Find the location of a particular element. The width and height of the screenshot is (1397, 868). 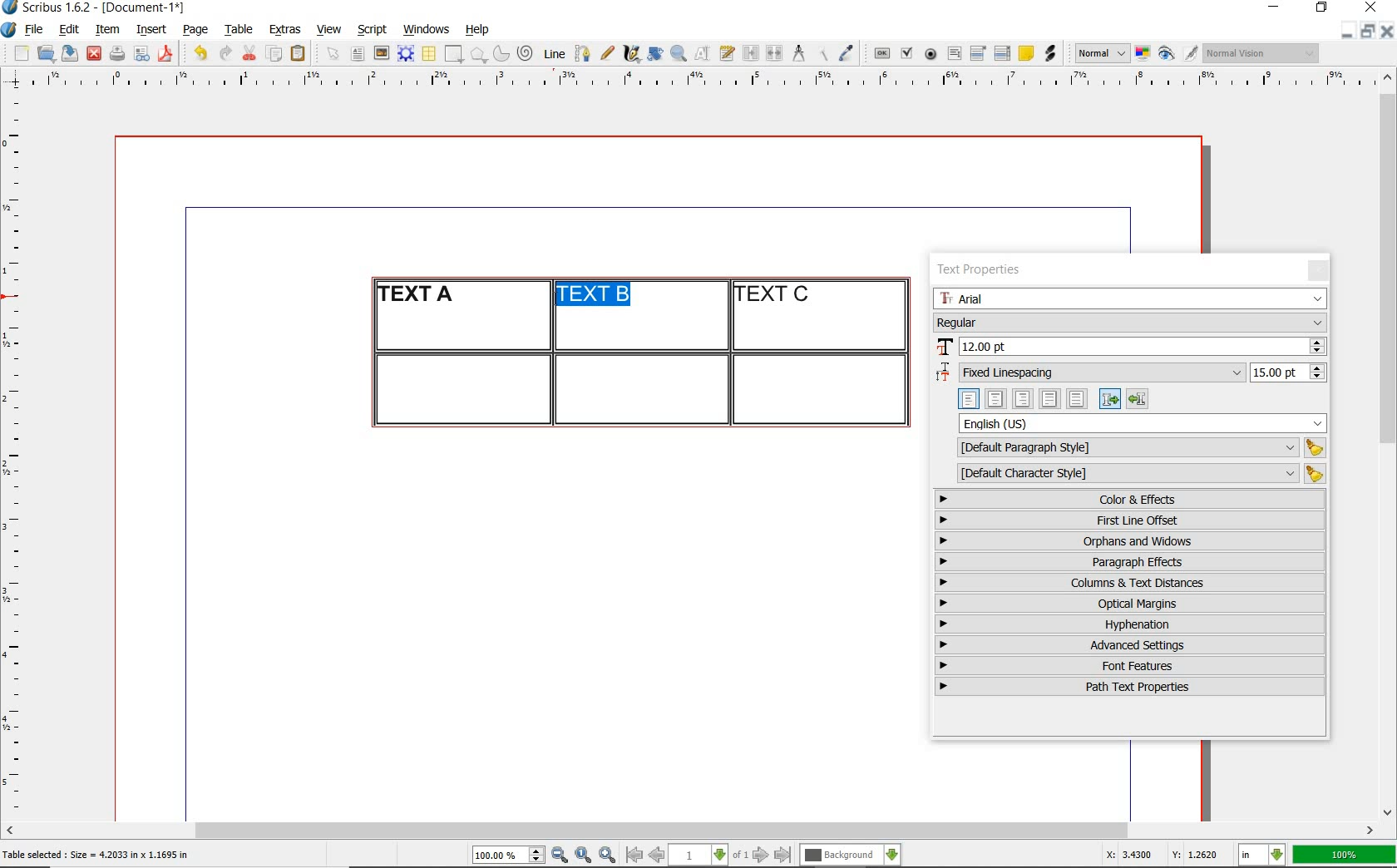

print is located at coordinates (116, 53).